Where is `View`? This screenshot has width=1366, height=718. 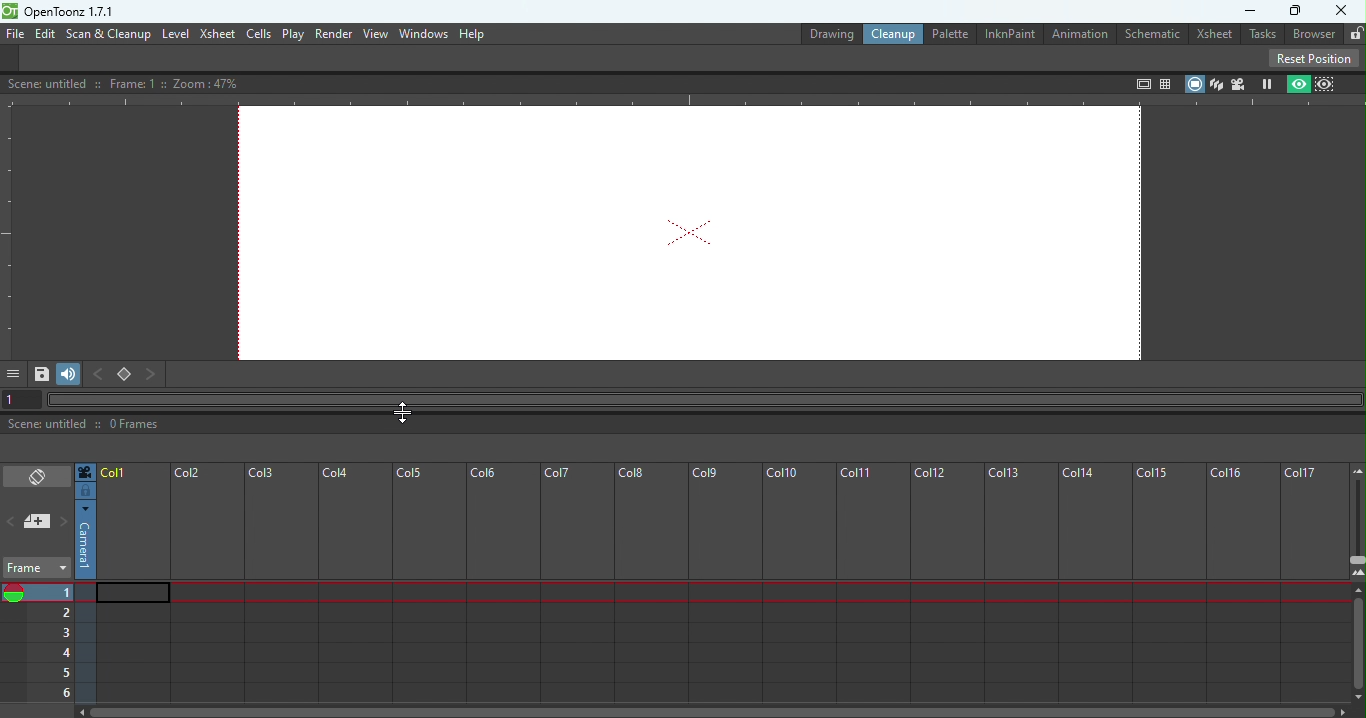 View is located at coordinates (375, 34).